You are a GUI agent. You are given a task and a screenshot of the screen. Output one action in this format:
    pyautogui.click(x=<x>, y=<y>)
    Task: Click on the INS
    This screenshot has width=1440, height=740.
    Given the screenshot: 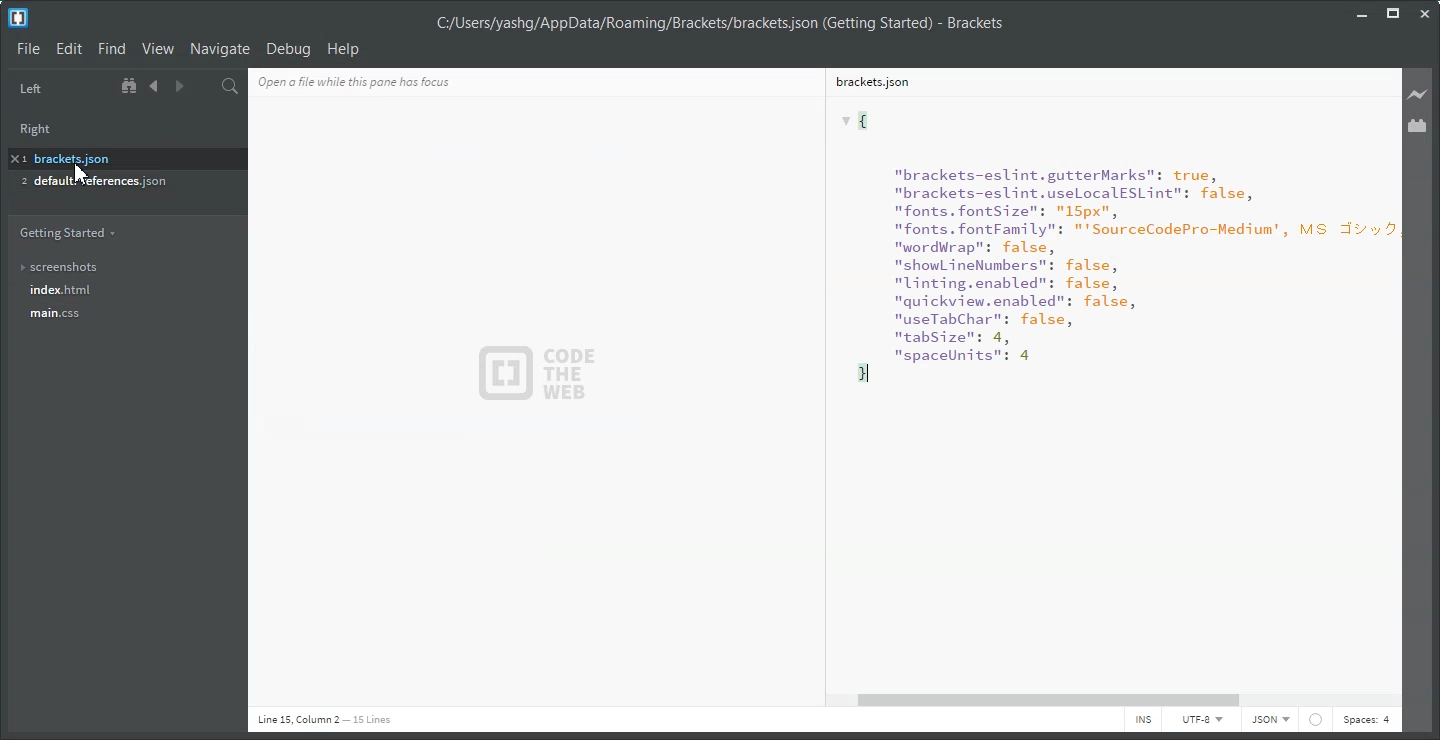 What is the action you would take?
    pyautogui.click(x=1143, y=721)
    